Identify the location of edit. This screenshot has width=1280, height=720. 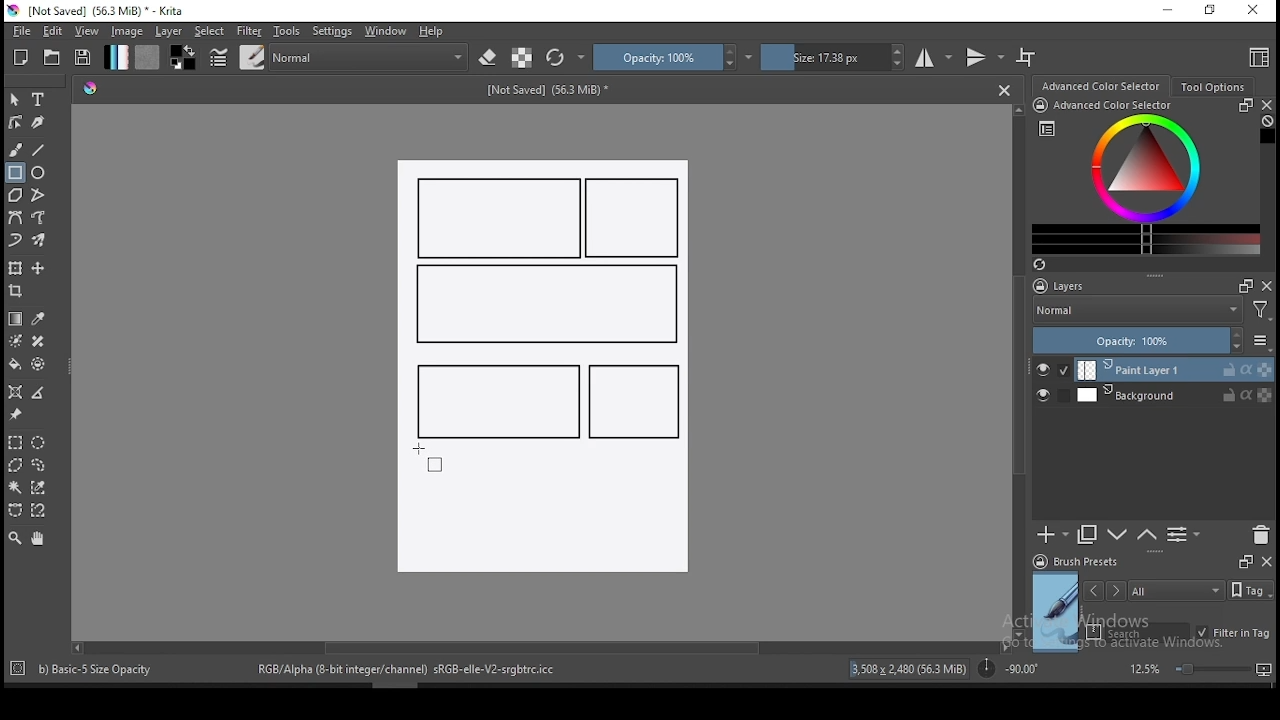
(52, 30).